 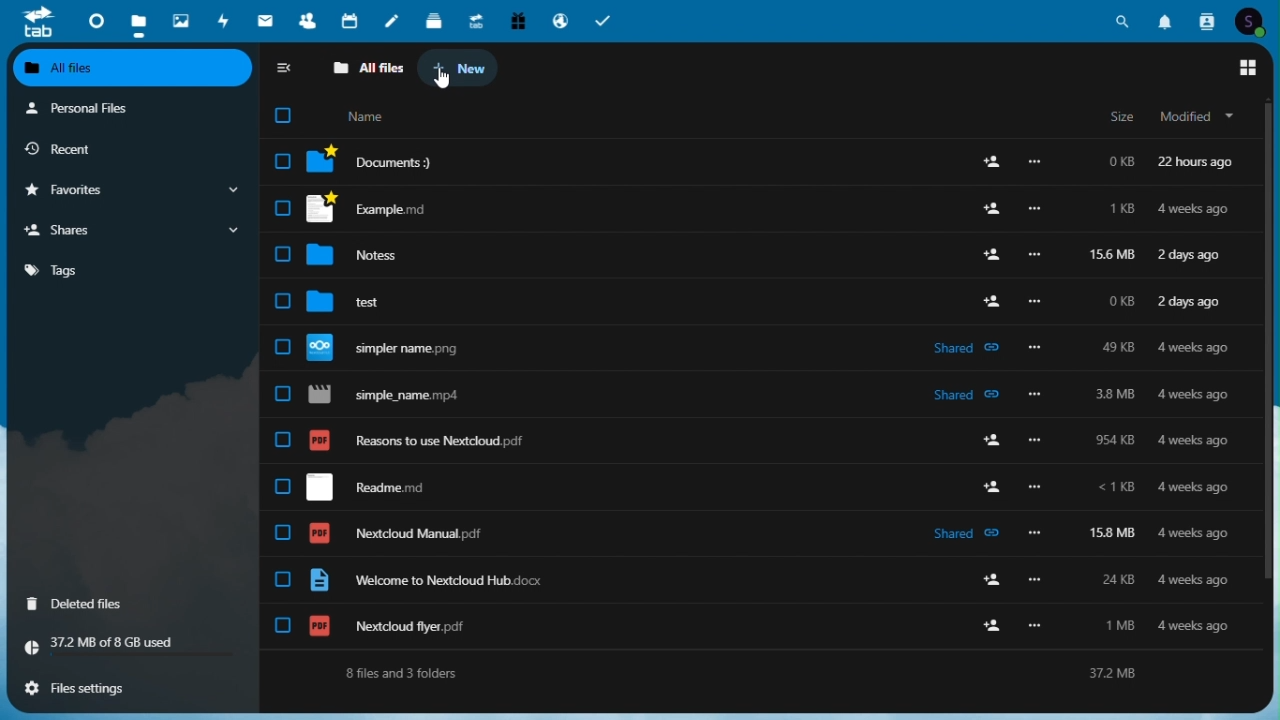 What do you see at coordinates (133, 107) in the screenshot?
I see `personal files` at bounding box center [133, 107].